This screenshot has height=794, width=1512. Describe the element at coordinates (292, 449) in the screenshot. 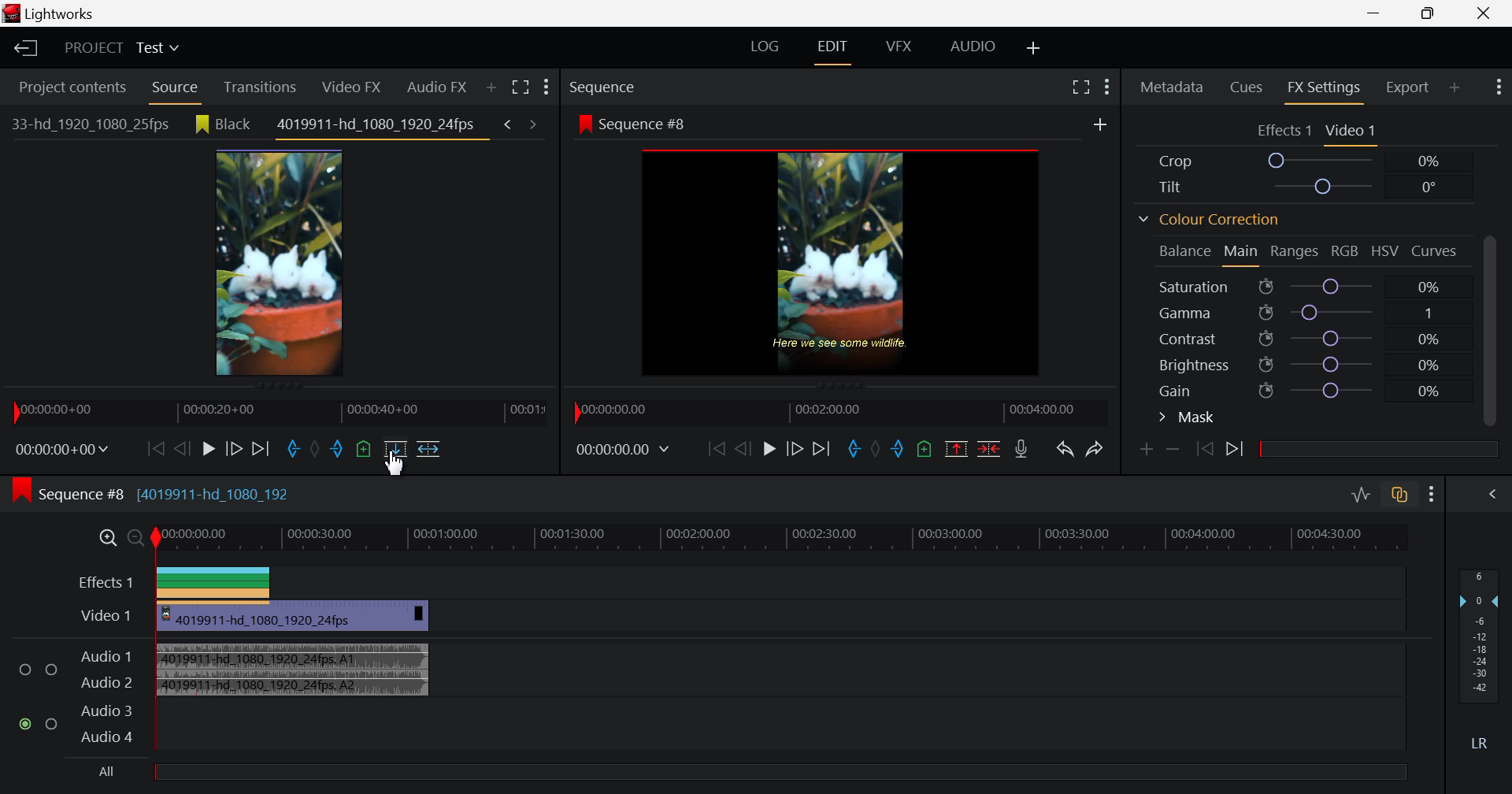

I see `Mark In` at that location.